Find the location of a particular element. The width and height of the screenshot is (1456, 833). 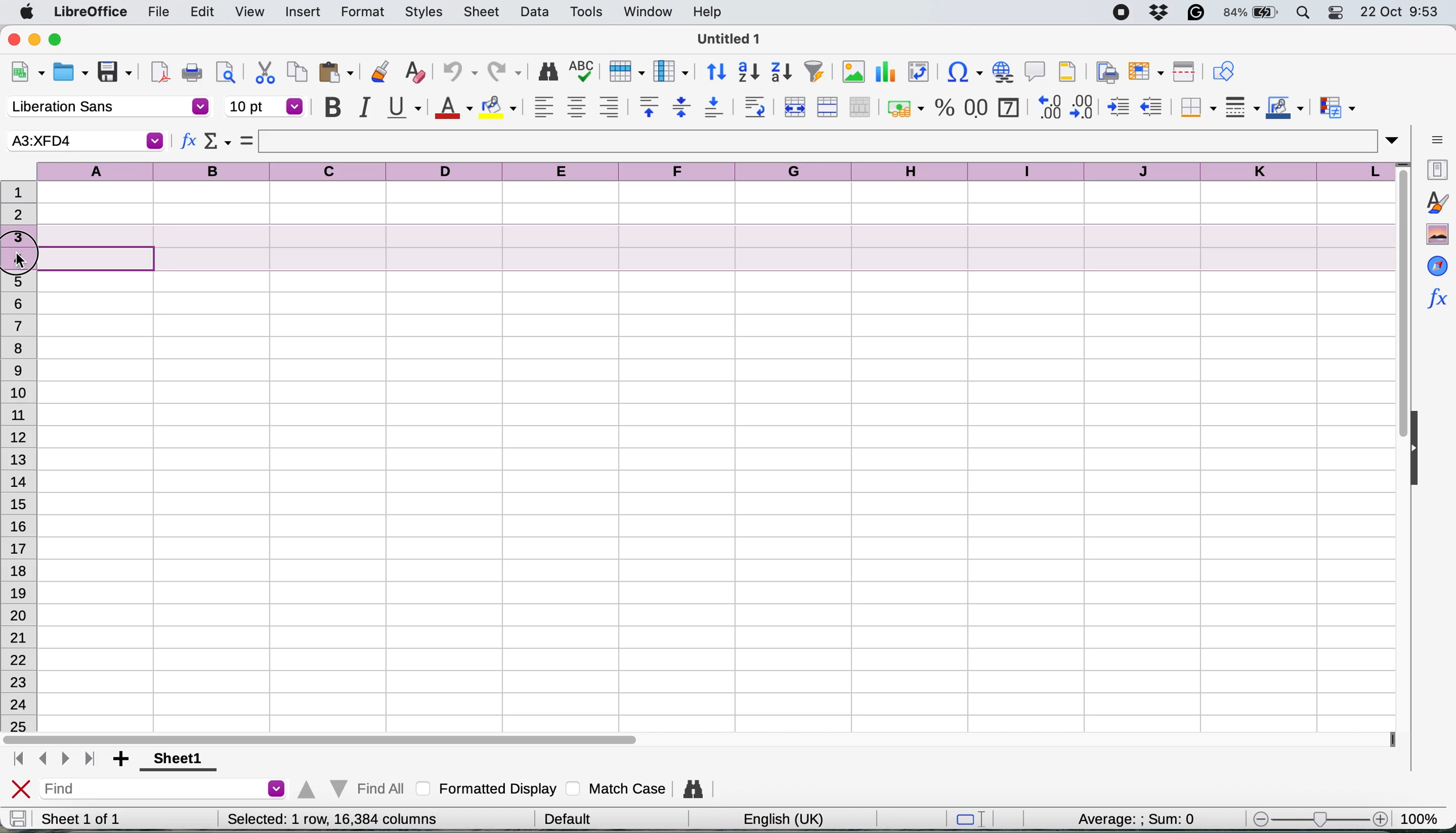

average : : sum: 0 is located at coordinates (1121, 817).